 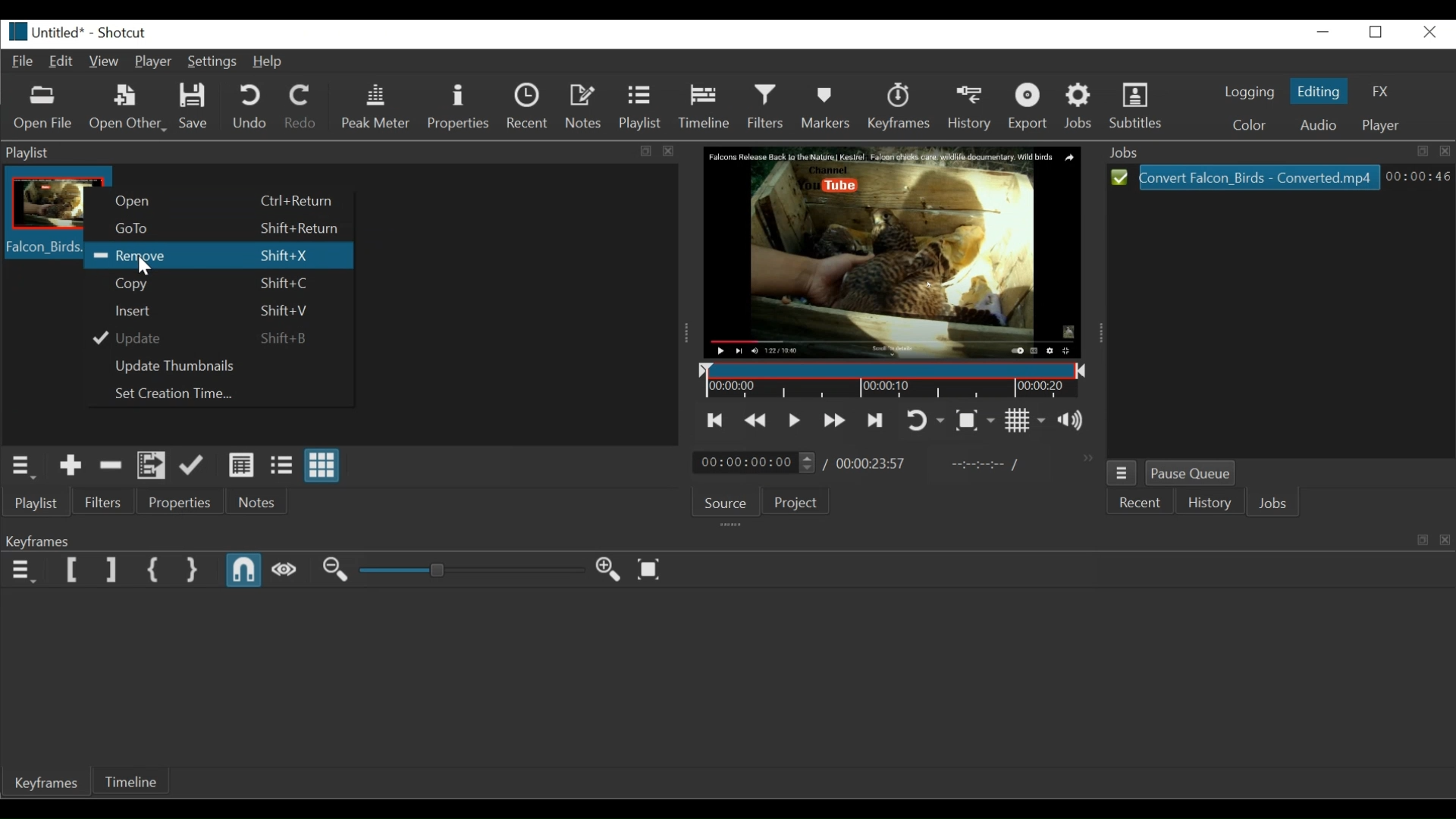 I want to click on Settings, so click(x=212, y=63).